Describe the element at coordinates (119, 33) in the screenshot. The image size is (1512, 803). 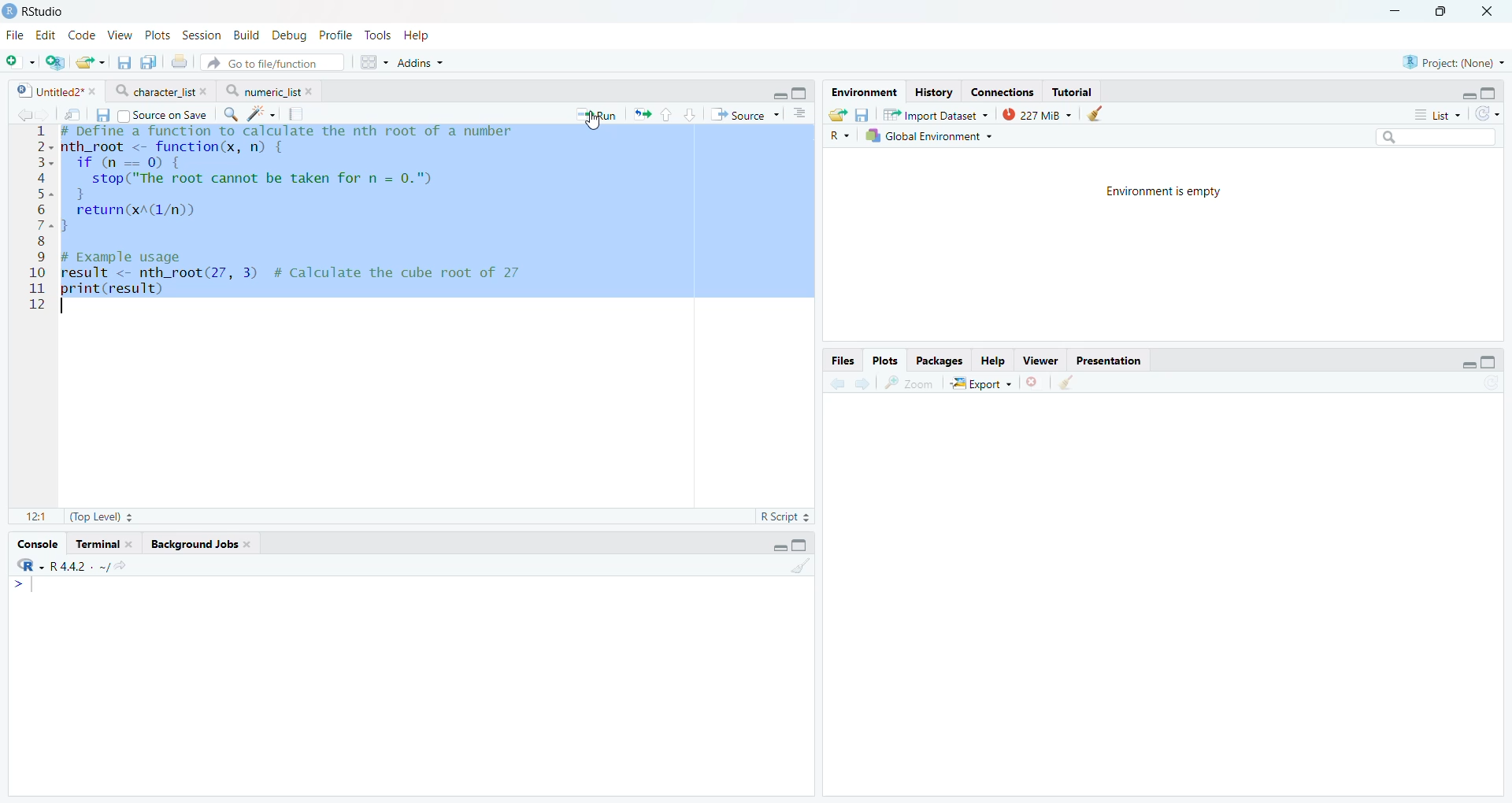
I see `View` at that location.